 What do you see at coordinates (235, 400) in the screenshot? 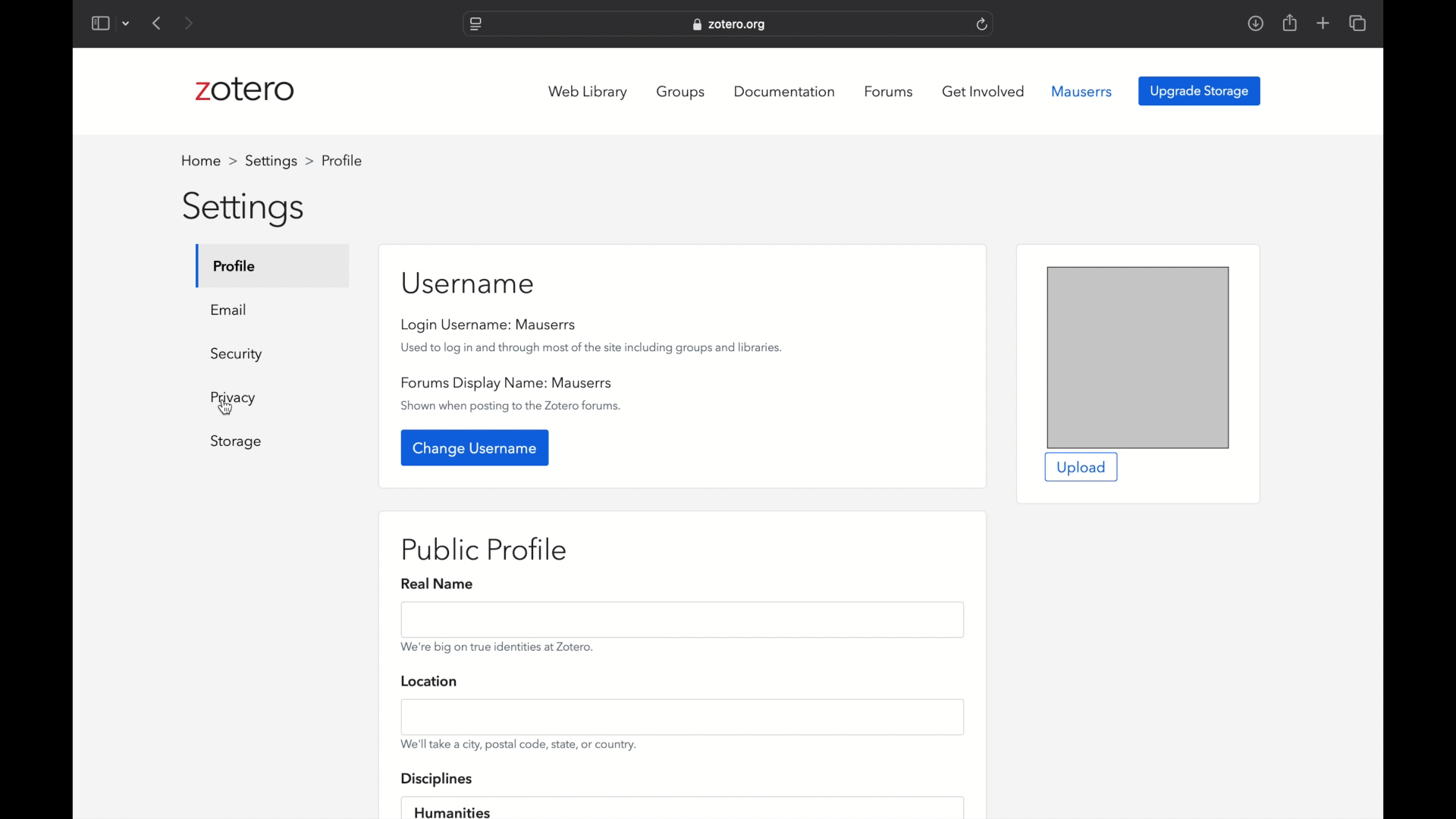
I see `privacy` at bounding box center [235, 400].